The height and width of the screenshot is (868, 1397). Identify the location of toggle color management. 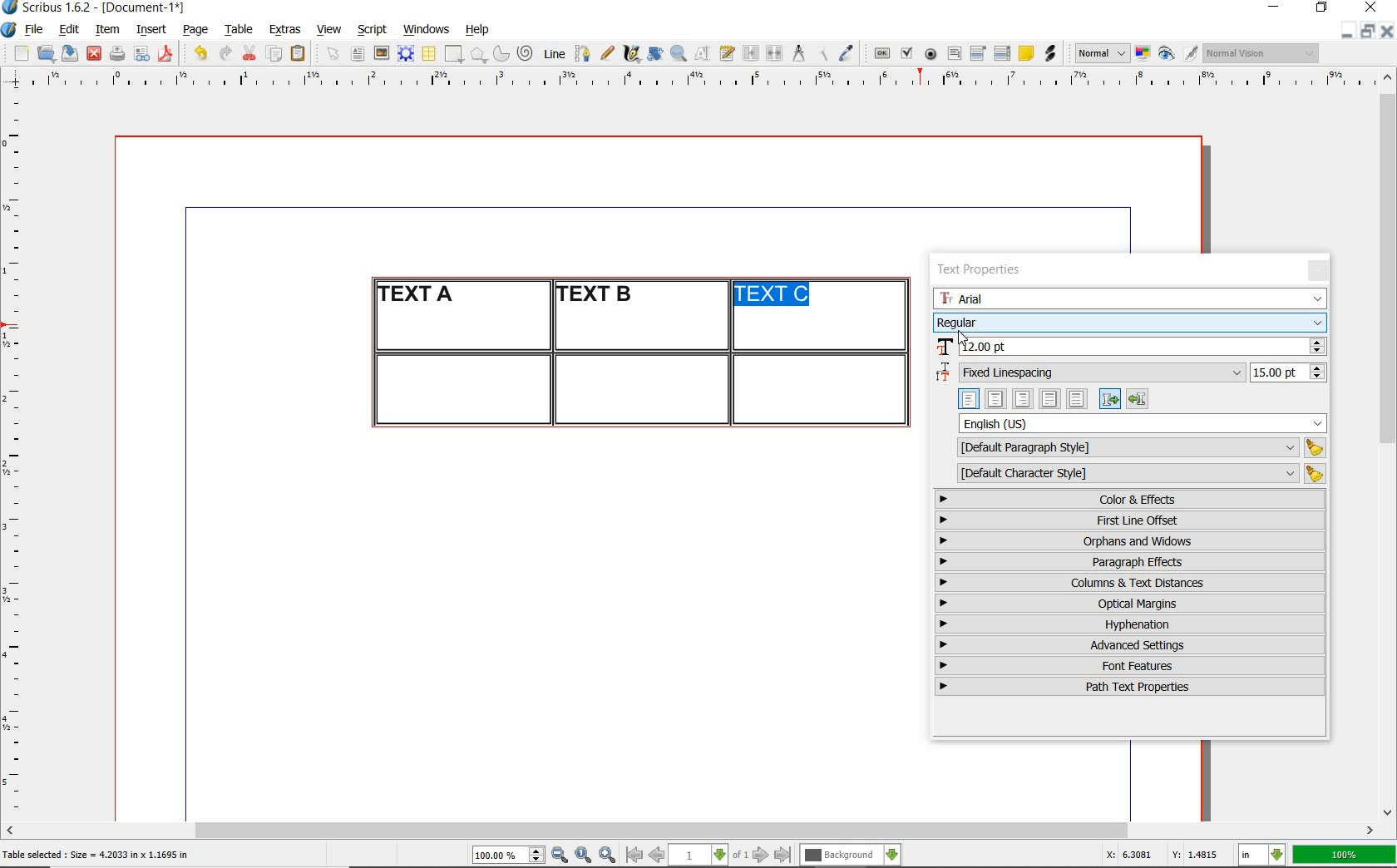
(1144, 55).